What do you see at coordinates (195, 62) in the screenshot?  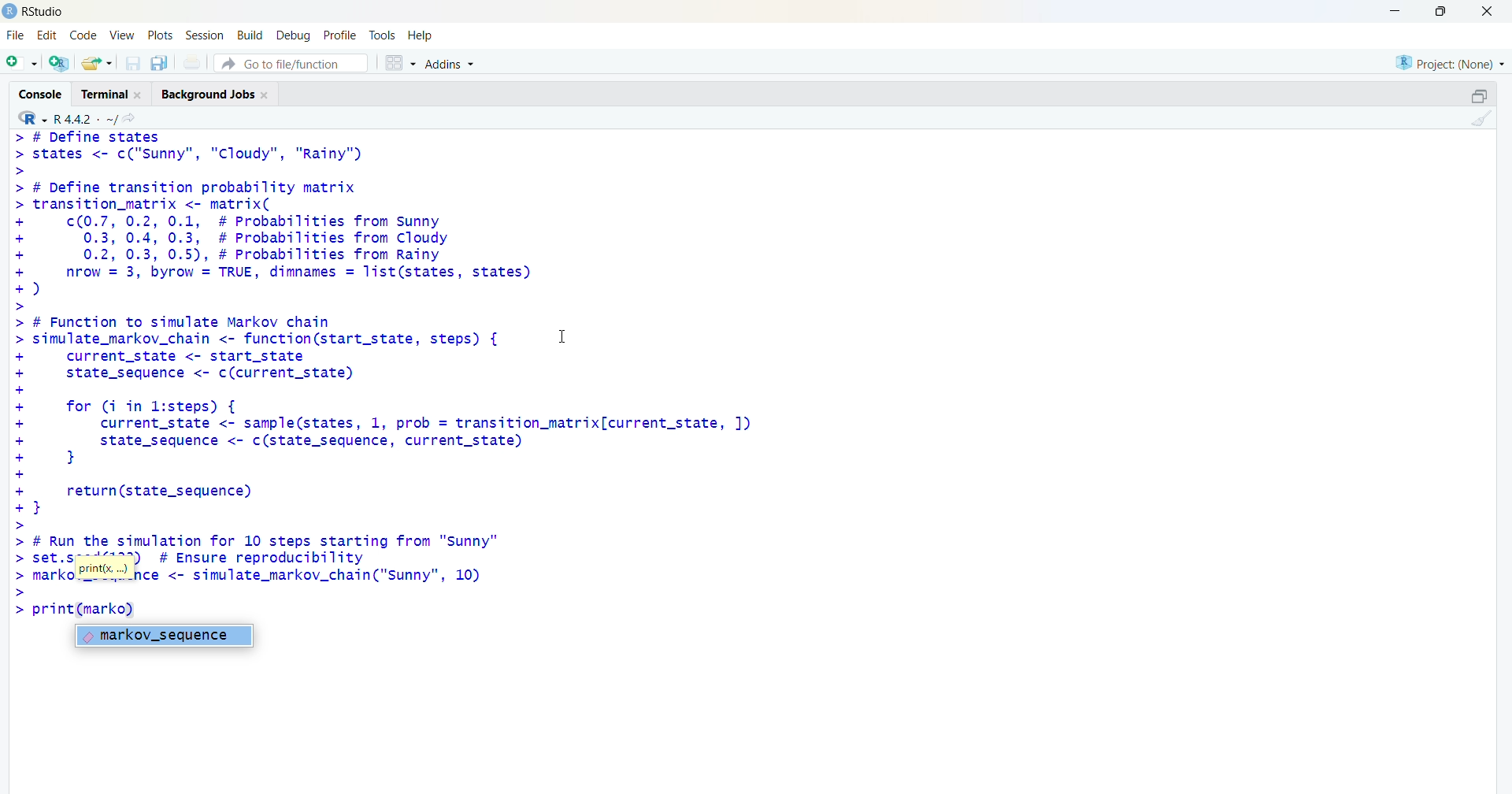 I see `print the current file` at bounding box center [195, 62].